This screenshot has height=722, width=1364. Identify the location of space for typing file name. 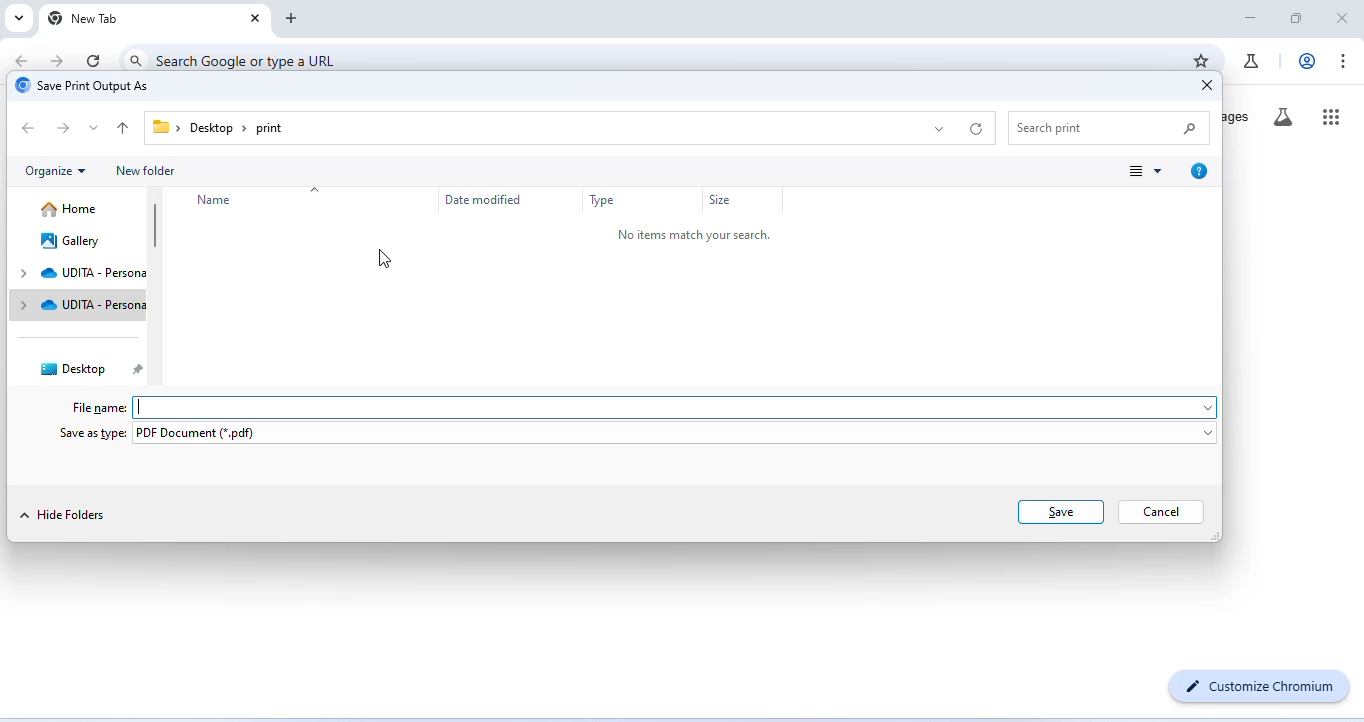
(679, 406).